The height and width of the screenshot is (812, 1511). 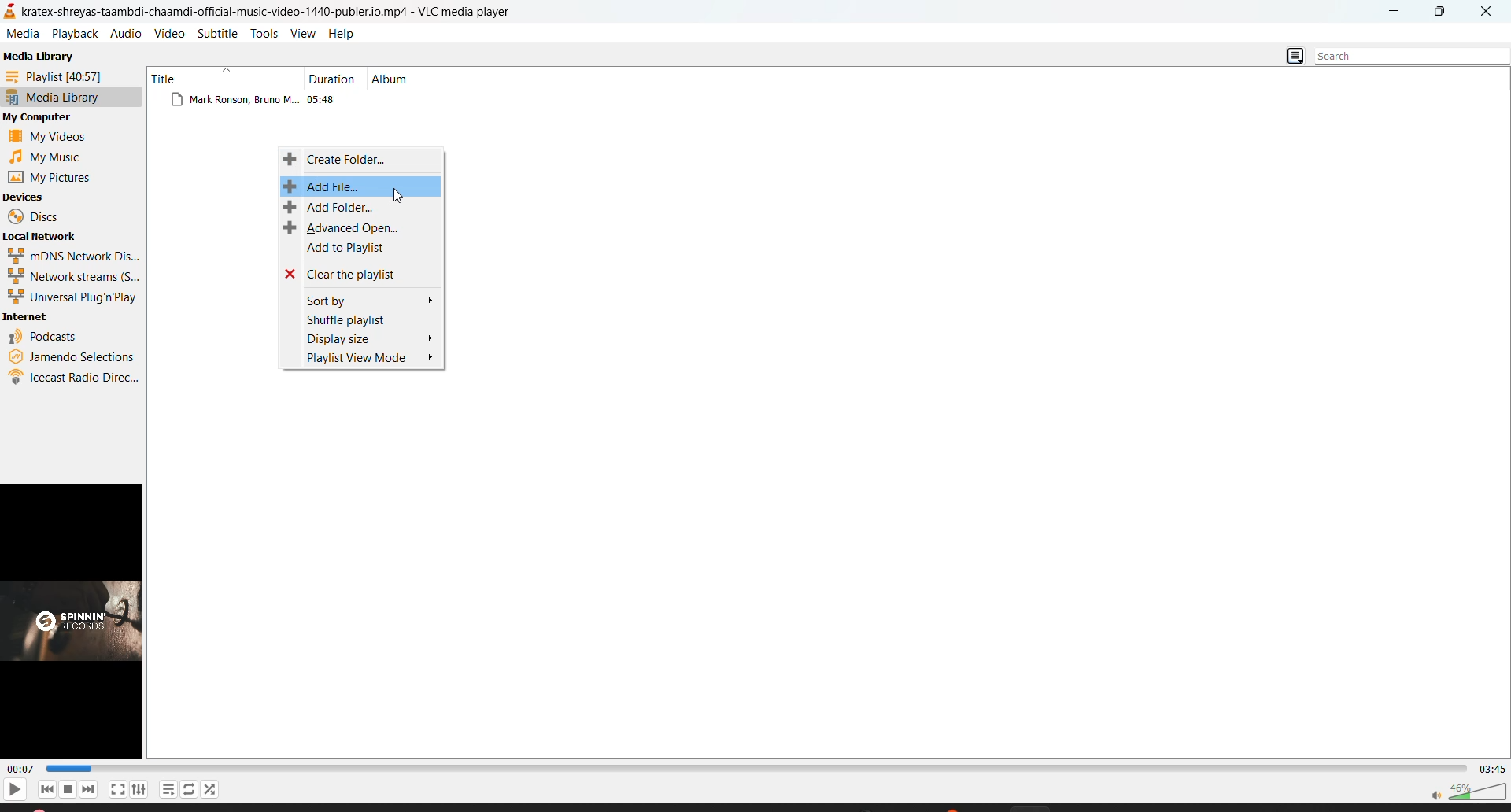 What do you see at coordinates (297, 102) in the screenshot?
I see `files from media library` at bounding box center [297, 102].